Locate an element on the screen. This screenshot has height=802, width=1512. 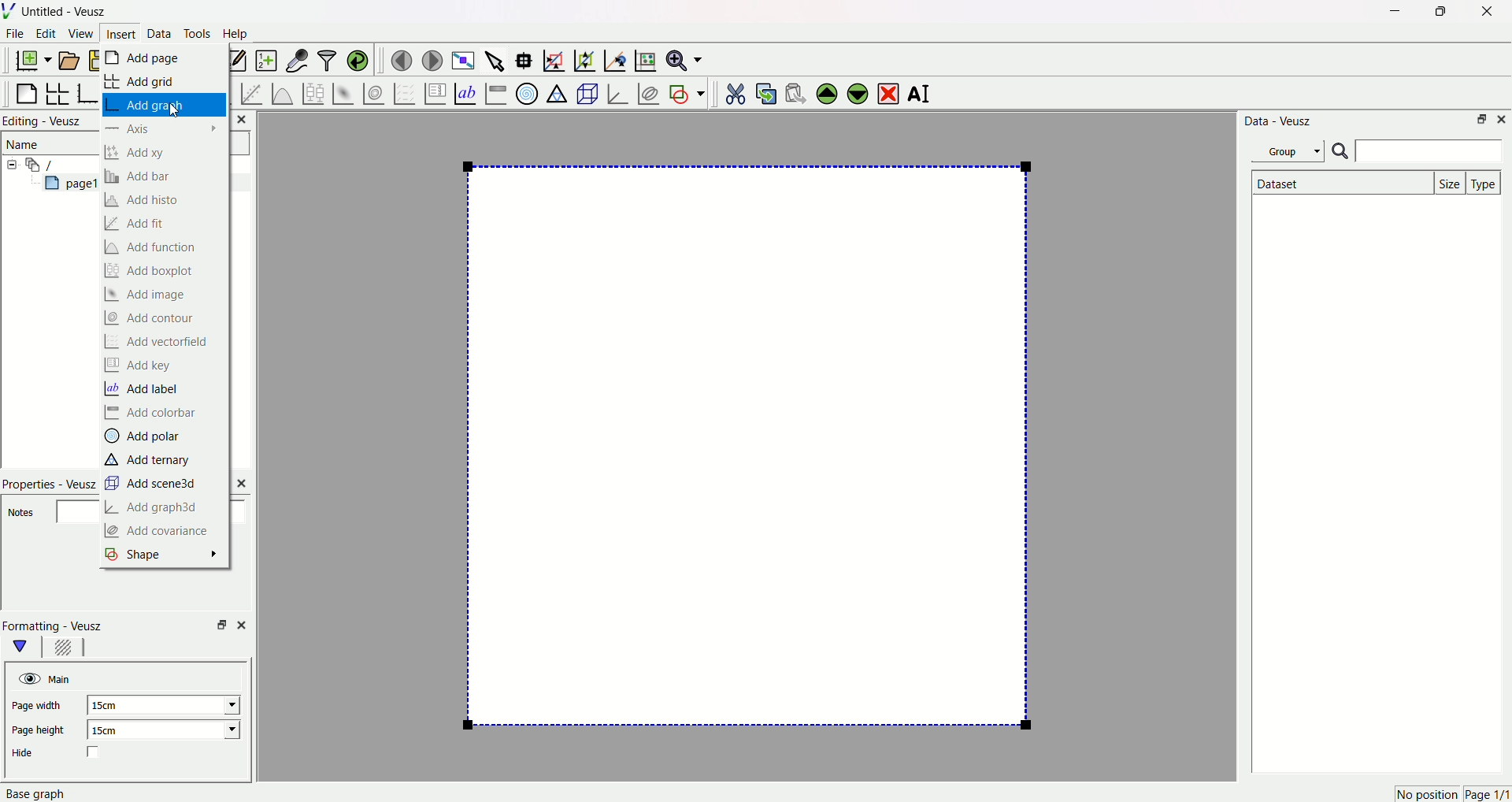
Axis is located at coordinates (165, 128).